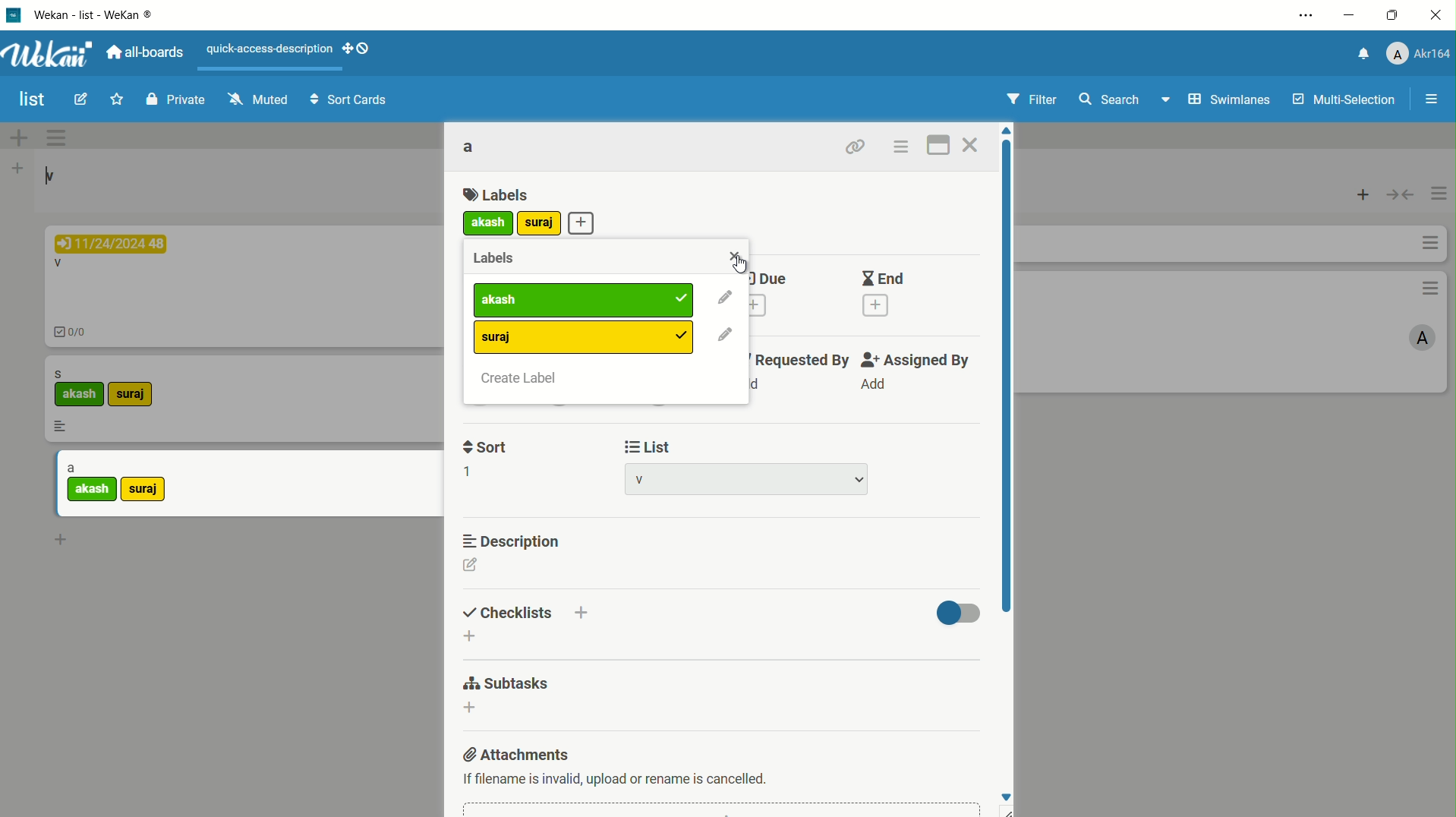 Image resolution: width=1456 pixels, height=817 pixels. I want to click on Add, so click(878, 384).